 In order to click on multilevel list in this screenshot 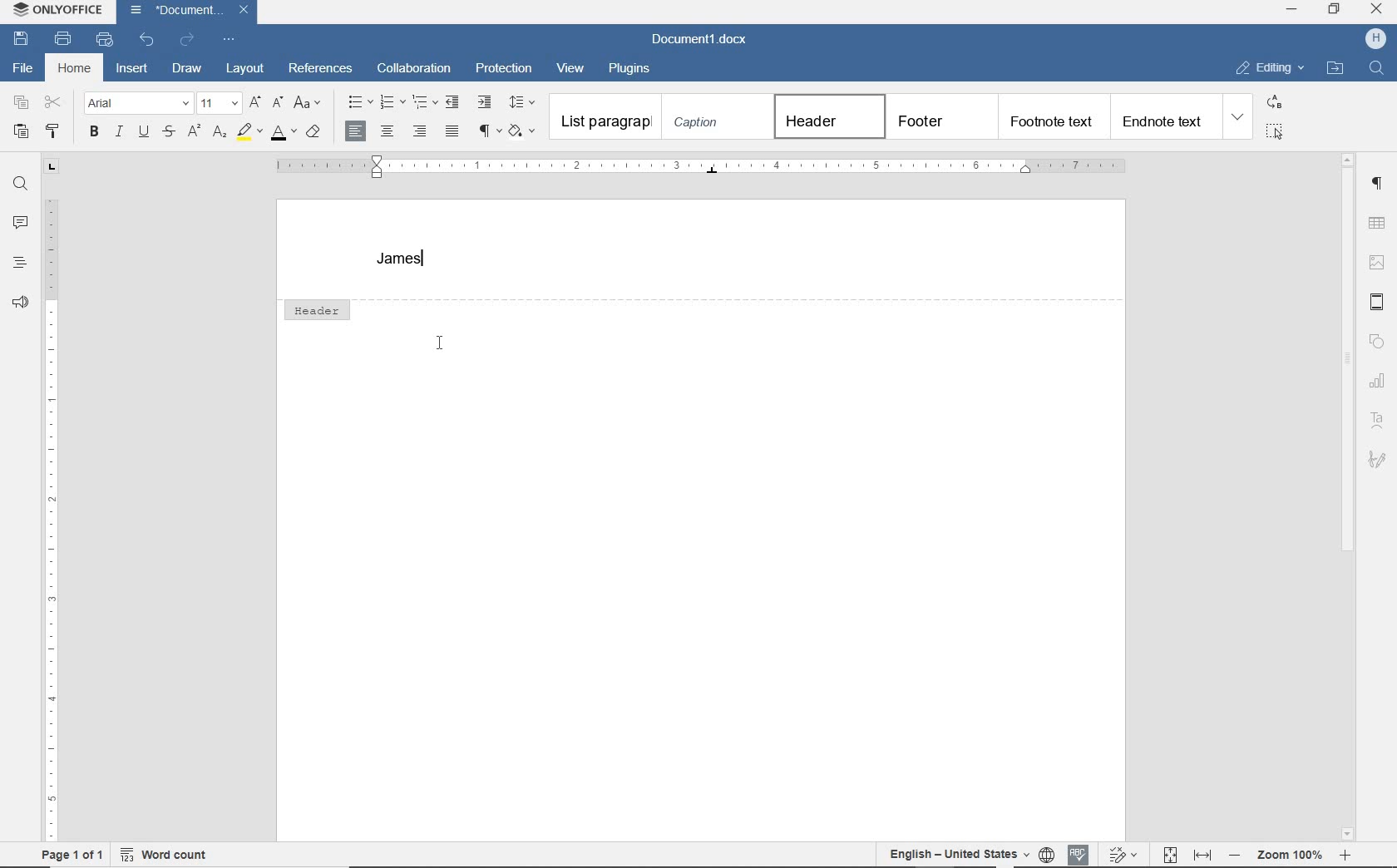, I will do `click(425, 103)`.